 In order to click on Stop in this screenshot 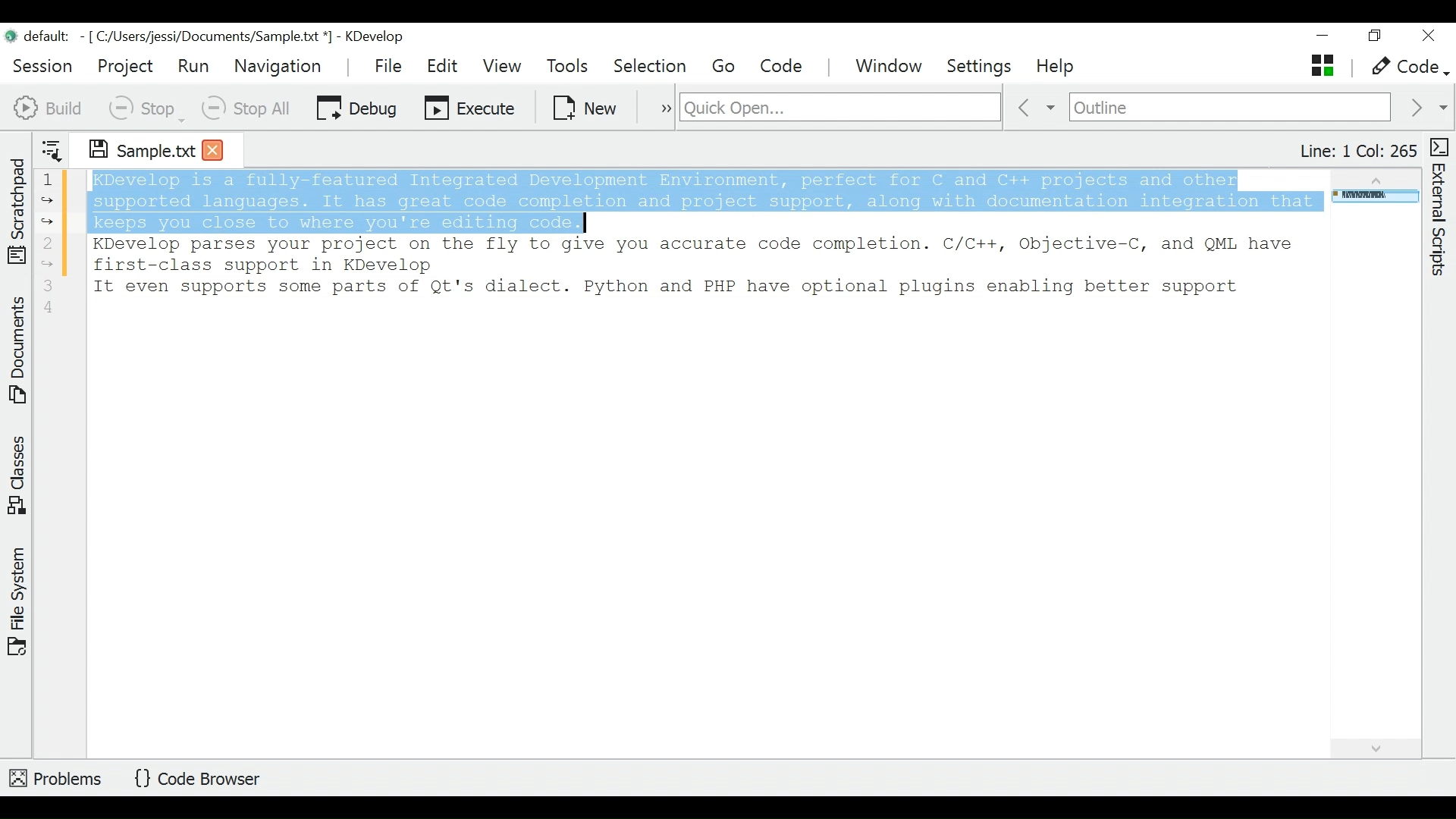, I will do `click(145, 108)`.